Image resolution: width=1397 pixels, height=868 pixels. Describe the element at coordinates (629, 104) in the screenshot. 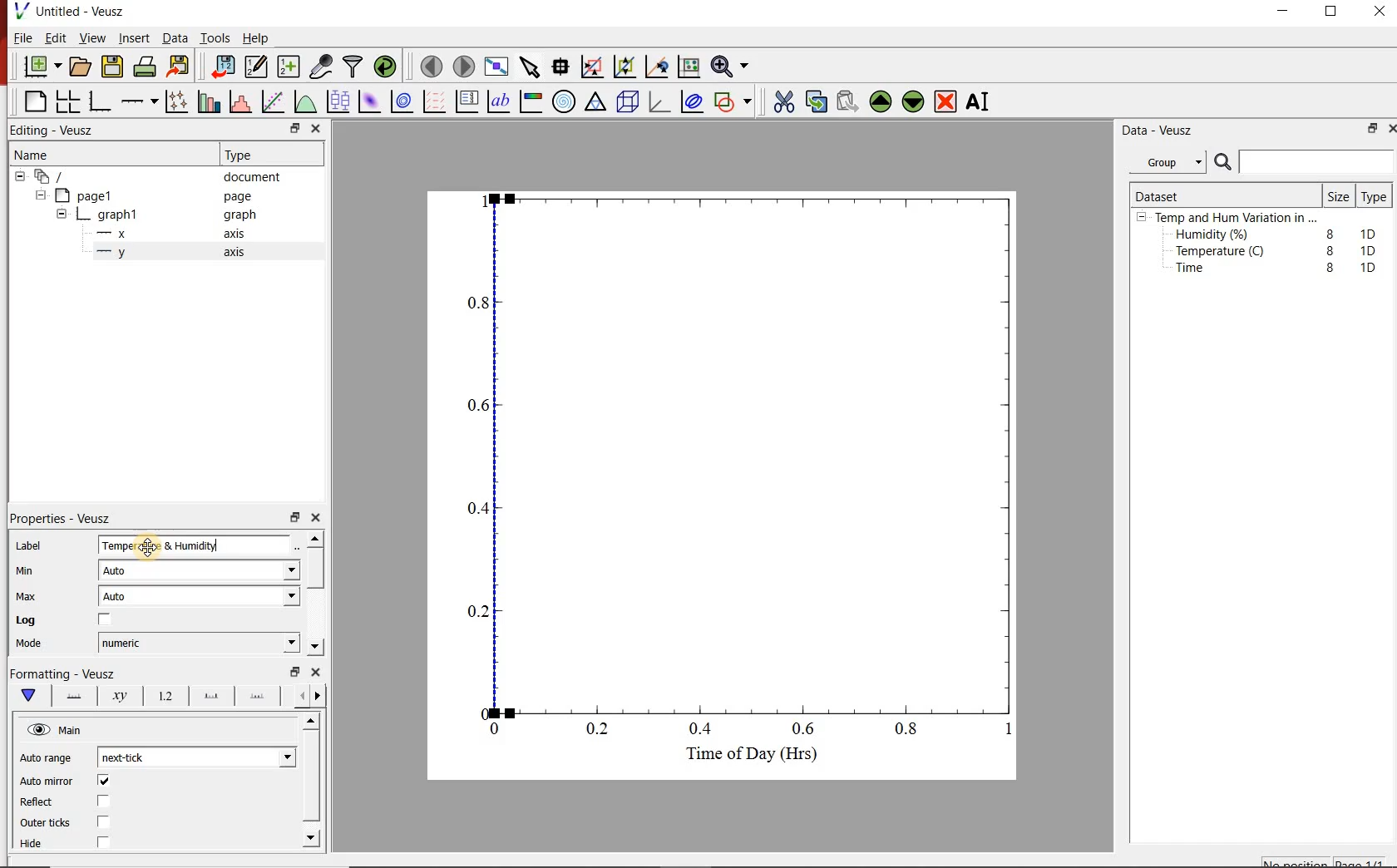

I see `3d scene` at that location.